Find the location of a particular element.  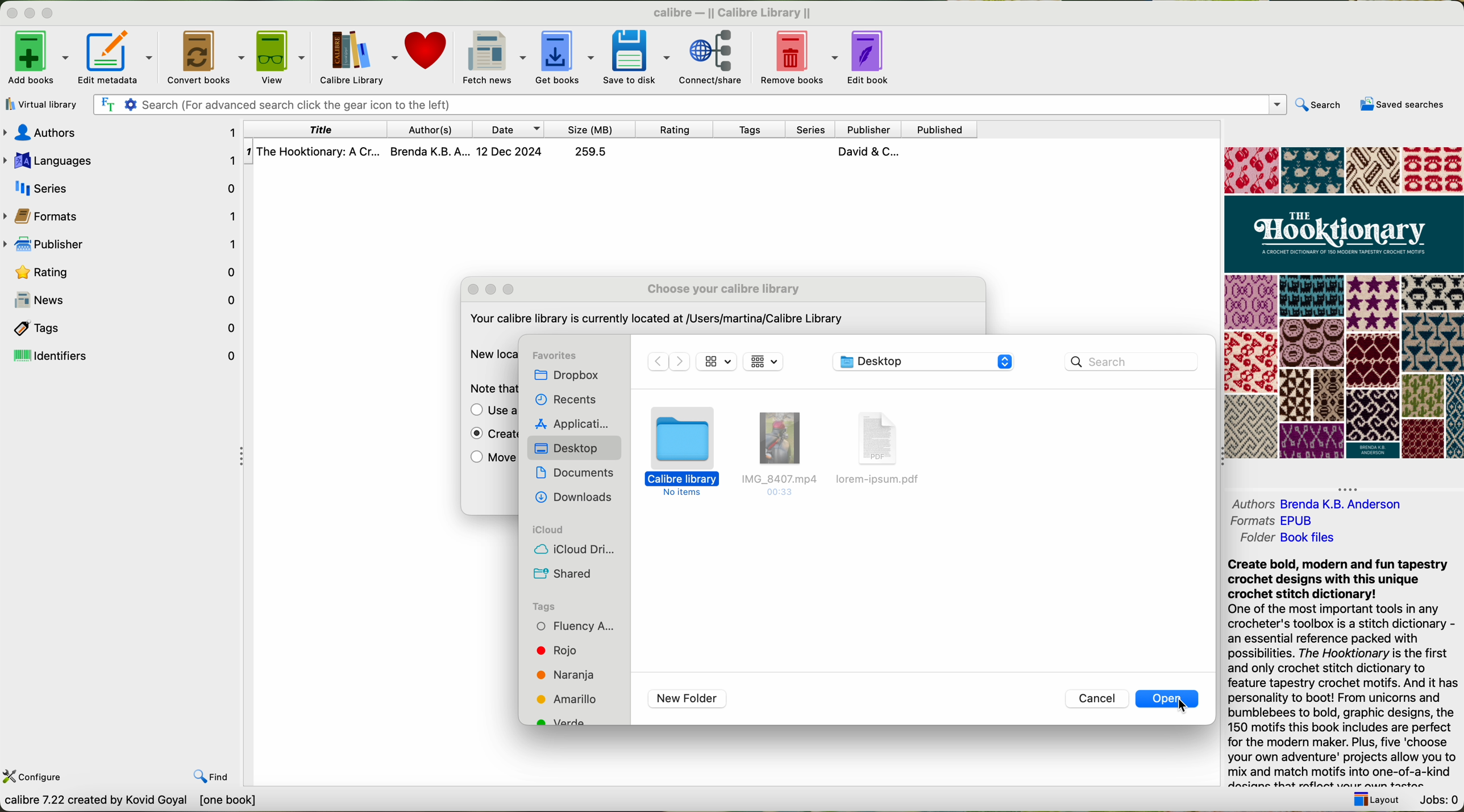

edit metadata is located at coordinates (116, 57).